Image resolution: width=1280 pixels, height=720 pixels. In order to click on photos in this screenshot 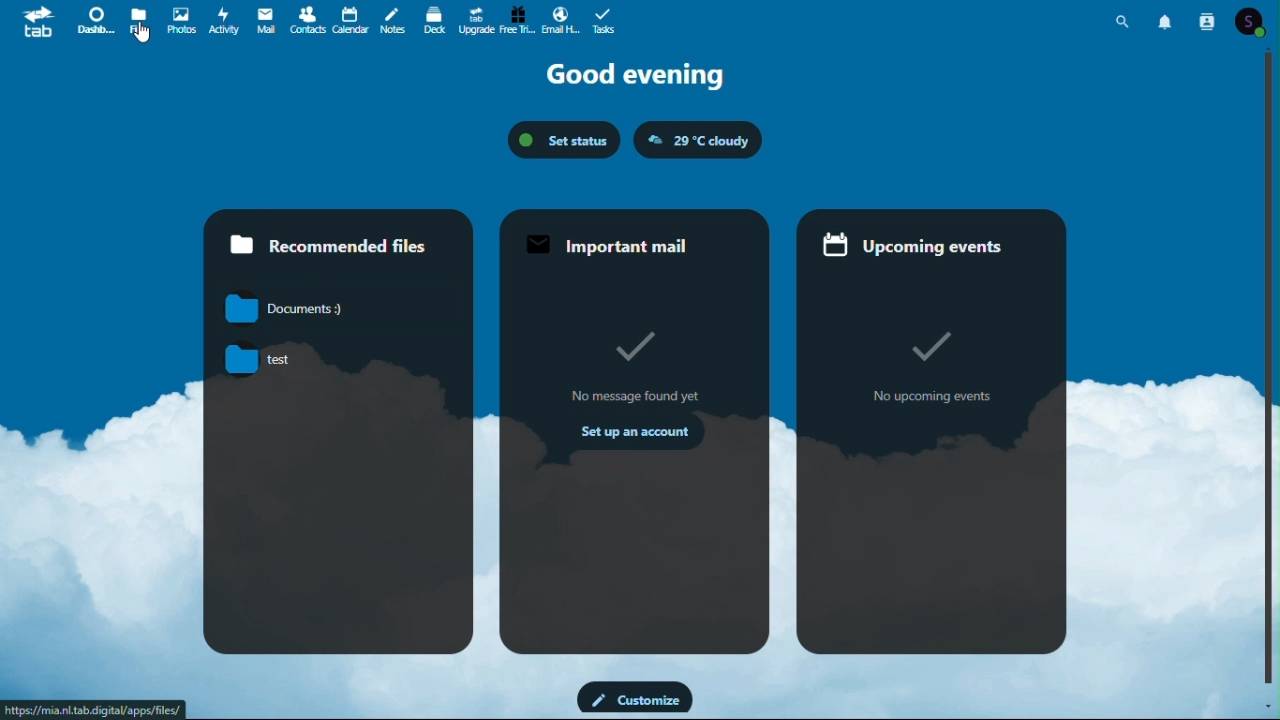, I will do `click(179, 20)`.